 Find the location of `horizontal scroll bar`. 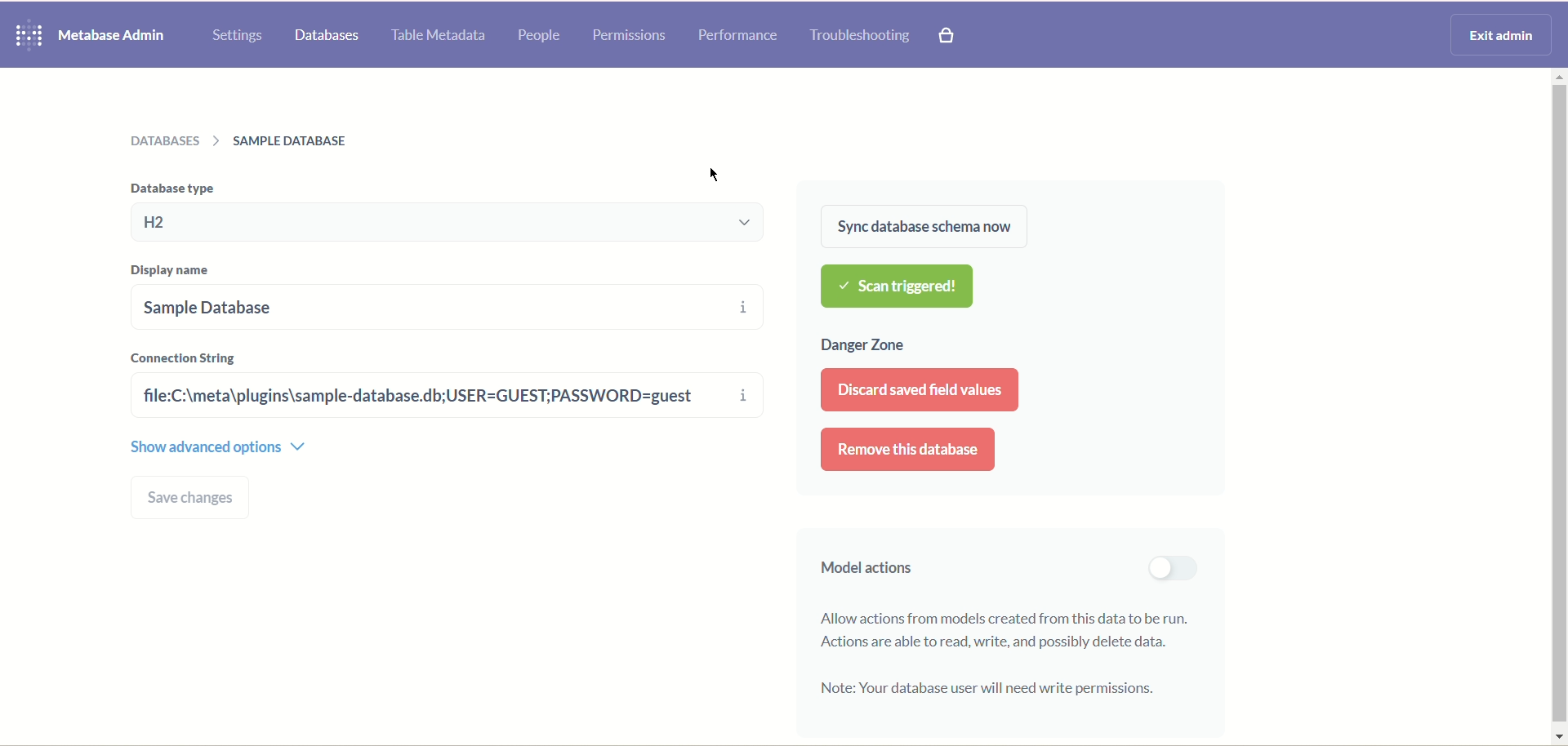

horizontal scroll bar is located at coordinates (1558, 405).